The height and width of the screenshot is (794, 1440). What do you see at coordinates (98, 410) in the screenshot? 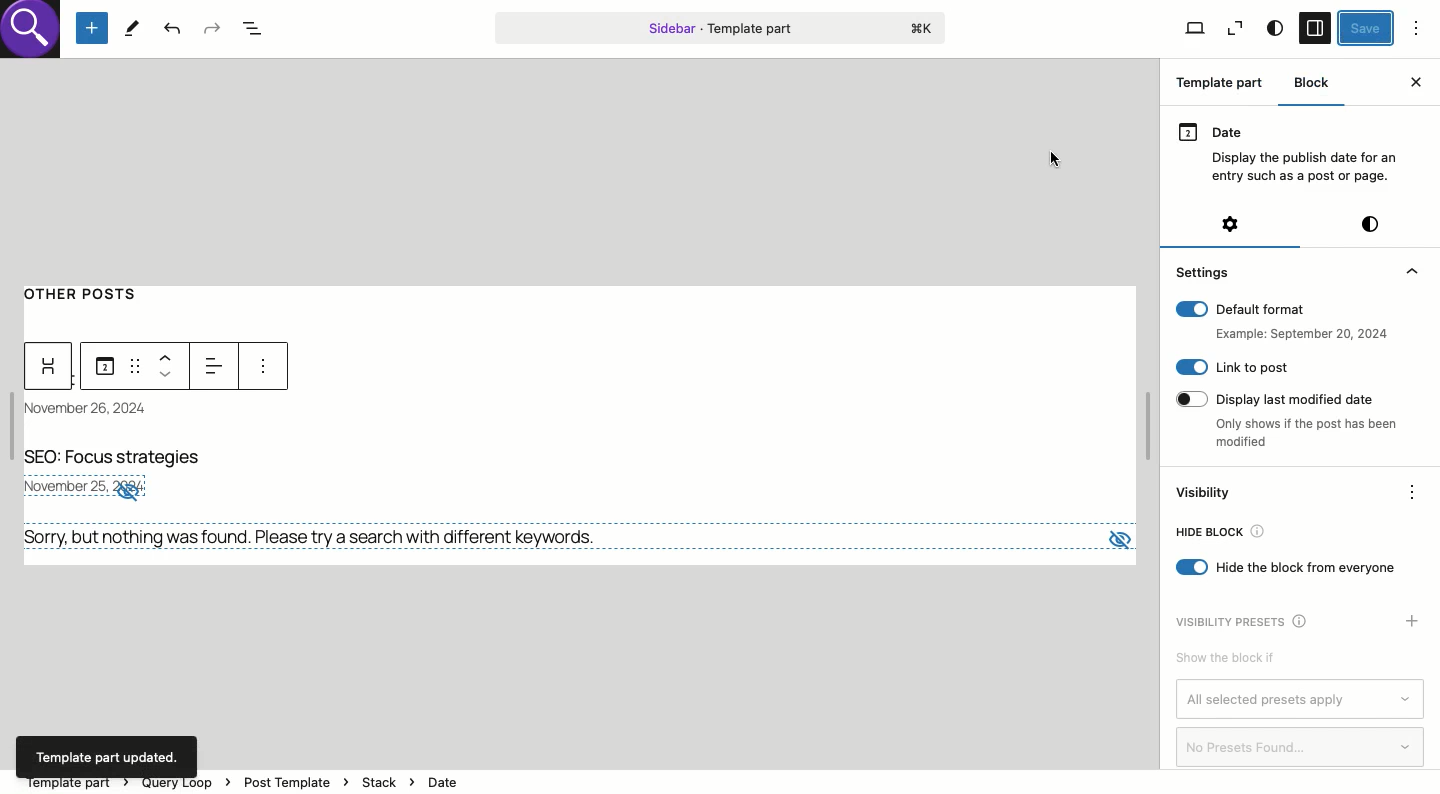
I see `Date` at bounding box center [98, 410].